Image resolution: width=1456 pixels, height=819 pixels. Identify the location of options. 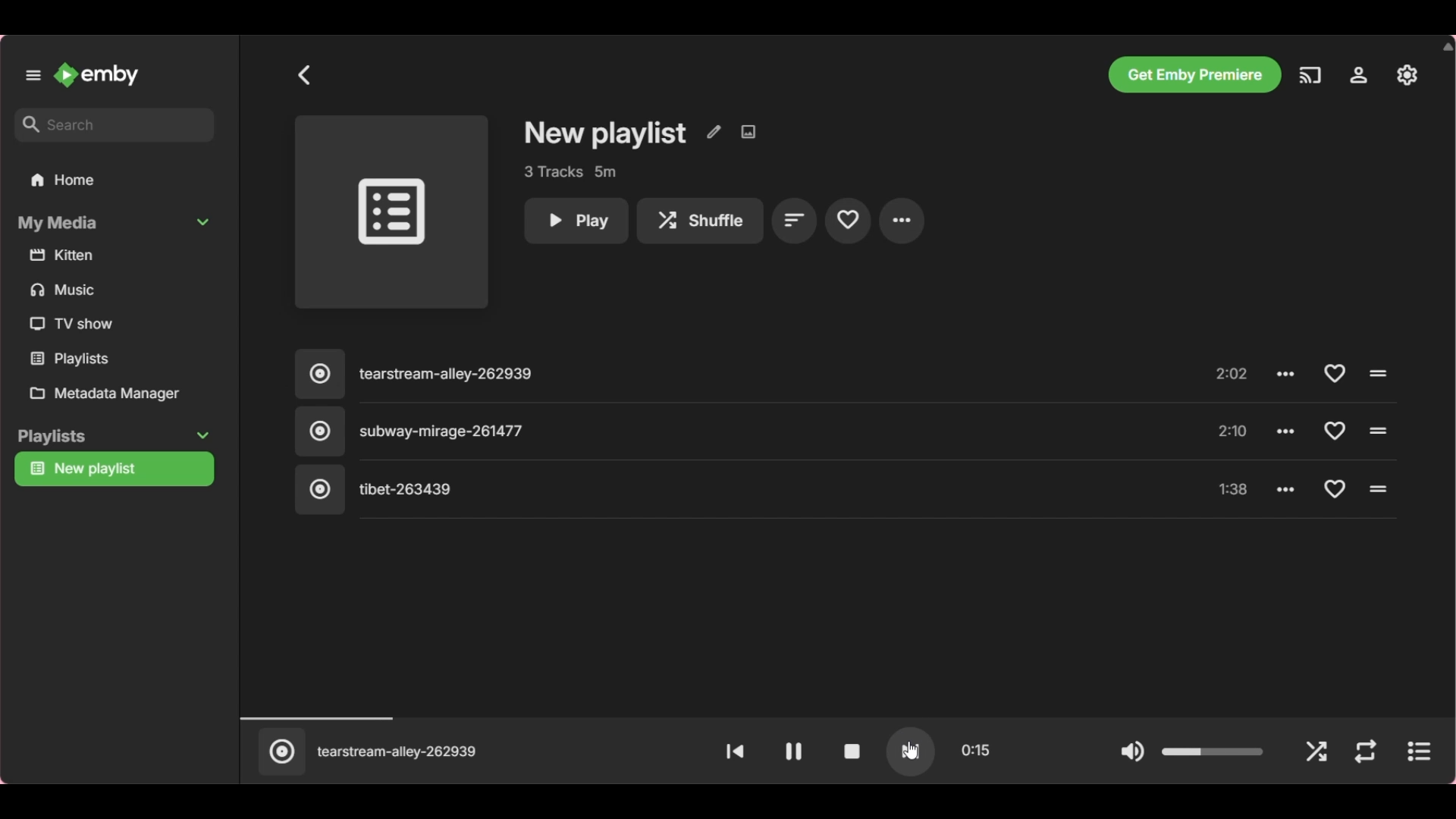
(1288, 370).